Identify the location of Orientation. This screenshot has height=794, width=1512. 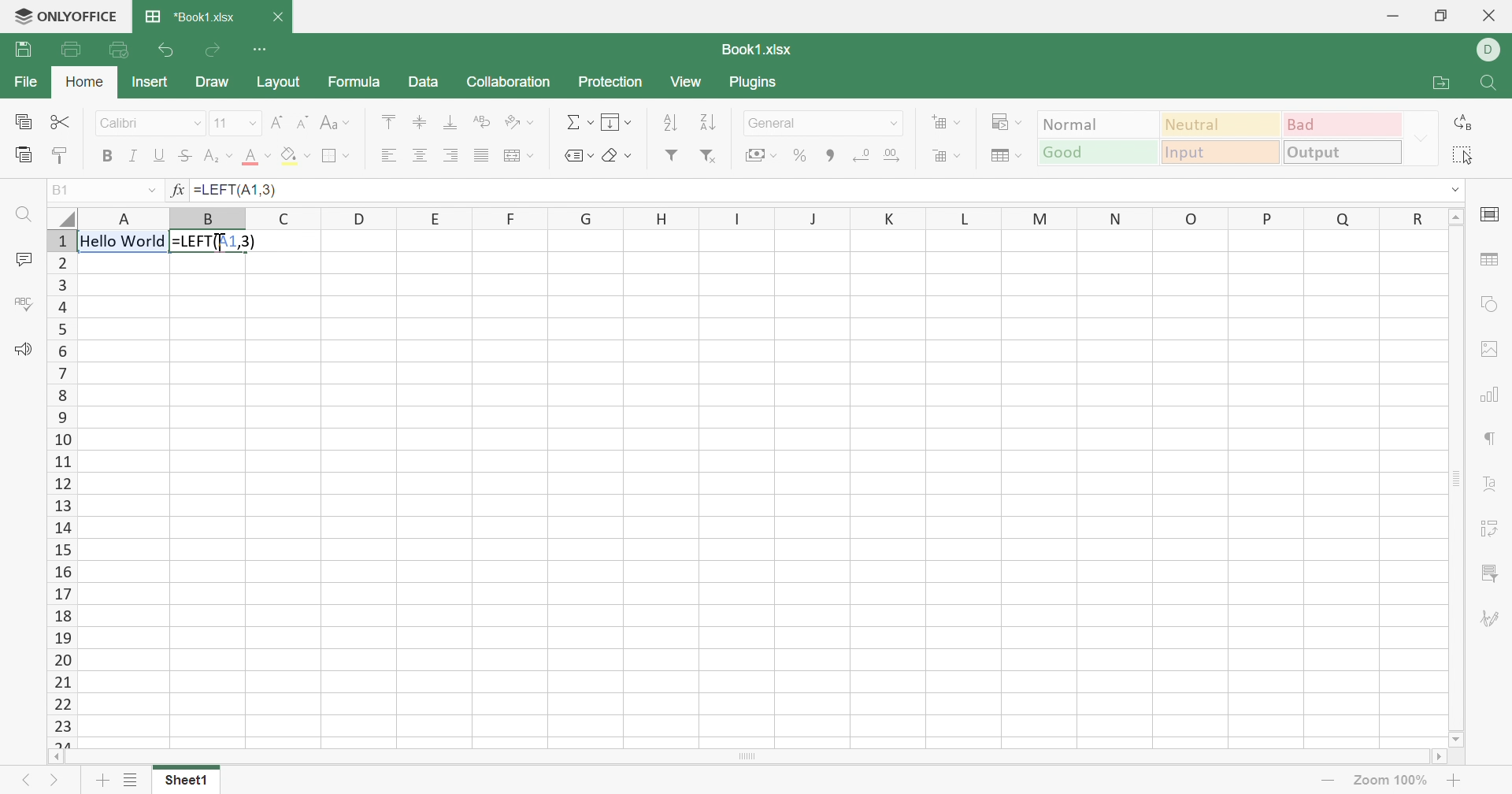
(518, 124).